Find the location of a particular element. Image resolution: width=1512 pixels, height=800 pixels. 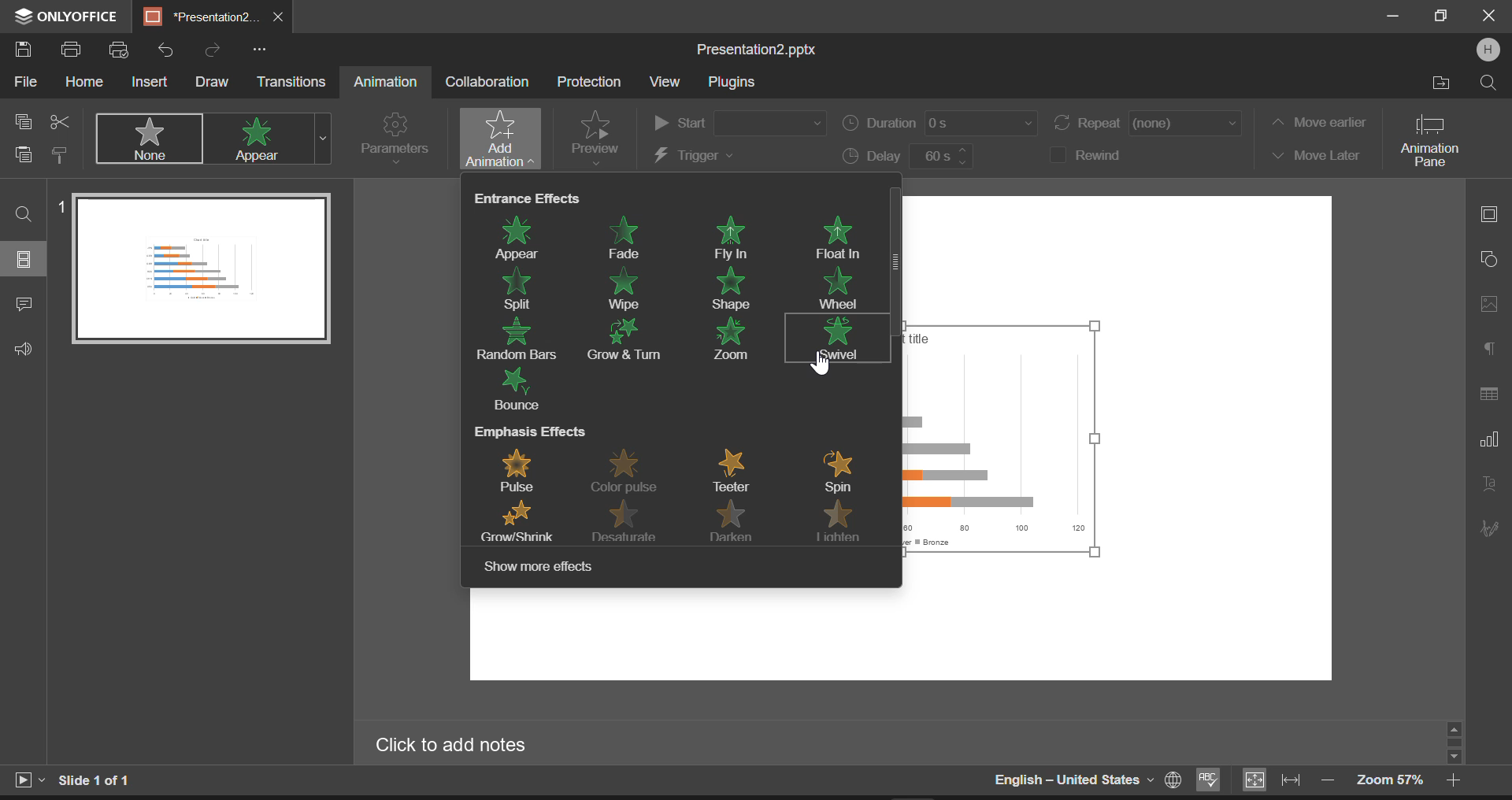

Slides is located at coordinates (25, 259).